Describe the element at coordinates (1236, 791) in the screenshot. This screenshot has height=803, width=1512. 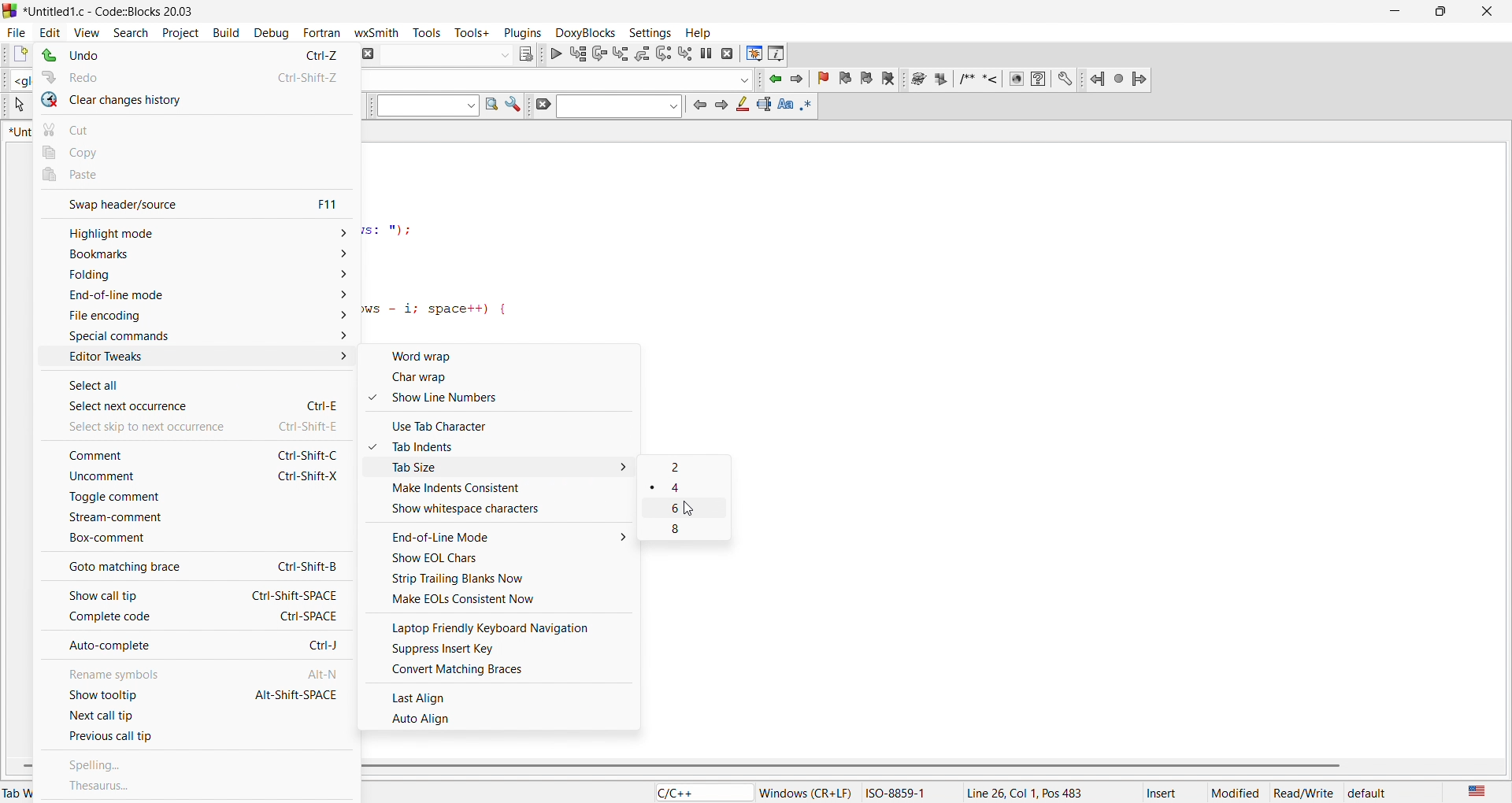
I see `modified` at that location.